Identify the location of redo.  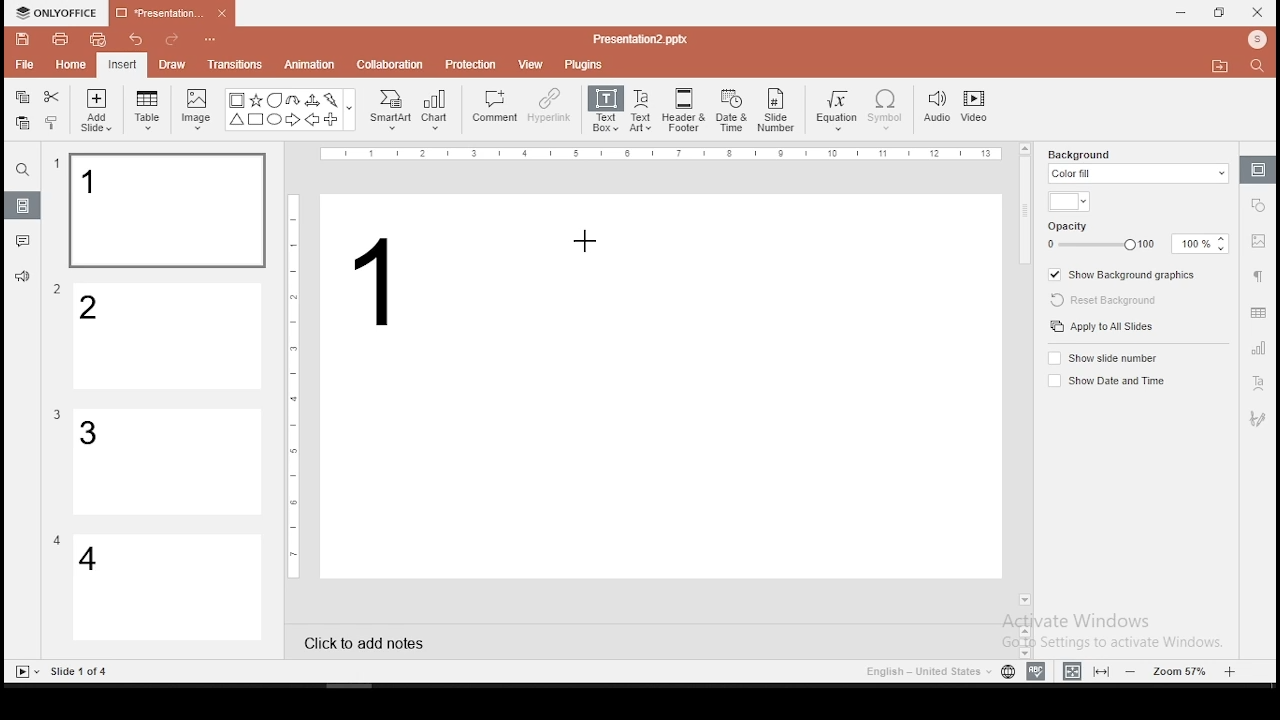
(172, 42).